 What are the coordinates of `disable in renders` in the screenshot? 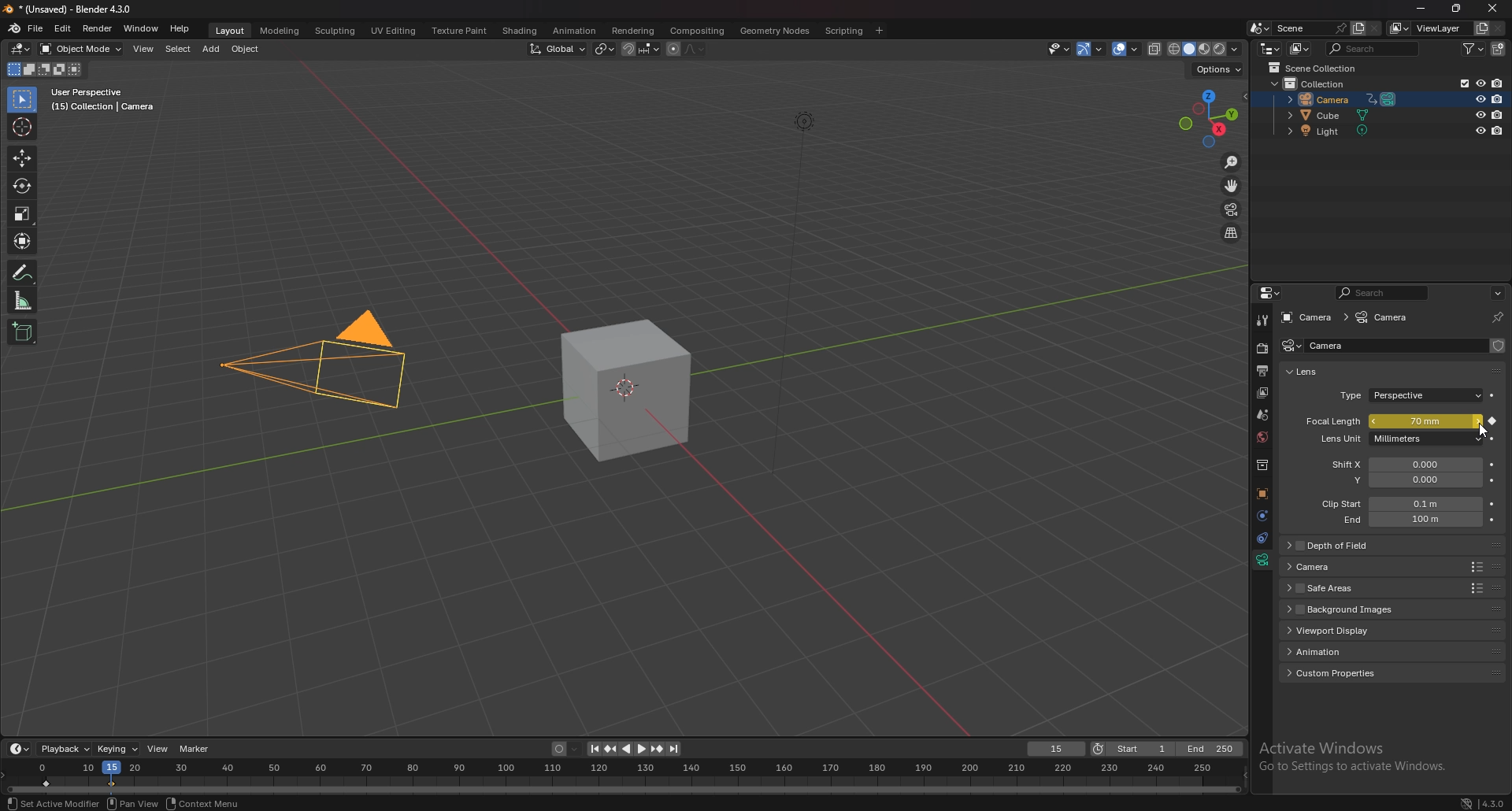 It's located at (1496, 99).